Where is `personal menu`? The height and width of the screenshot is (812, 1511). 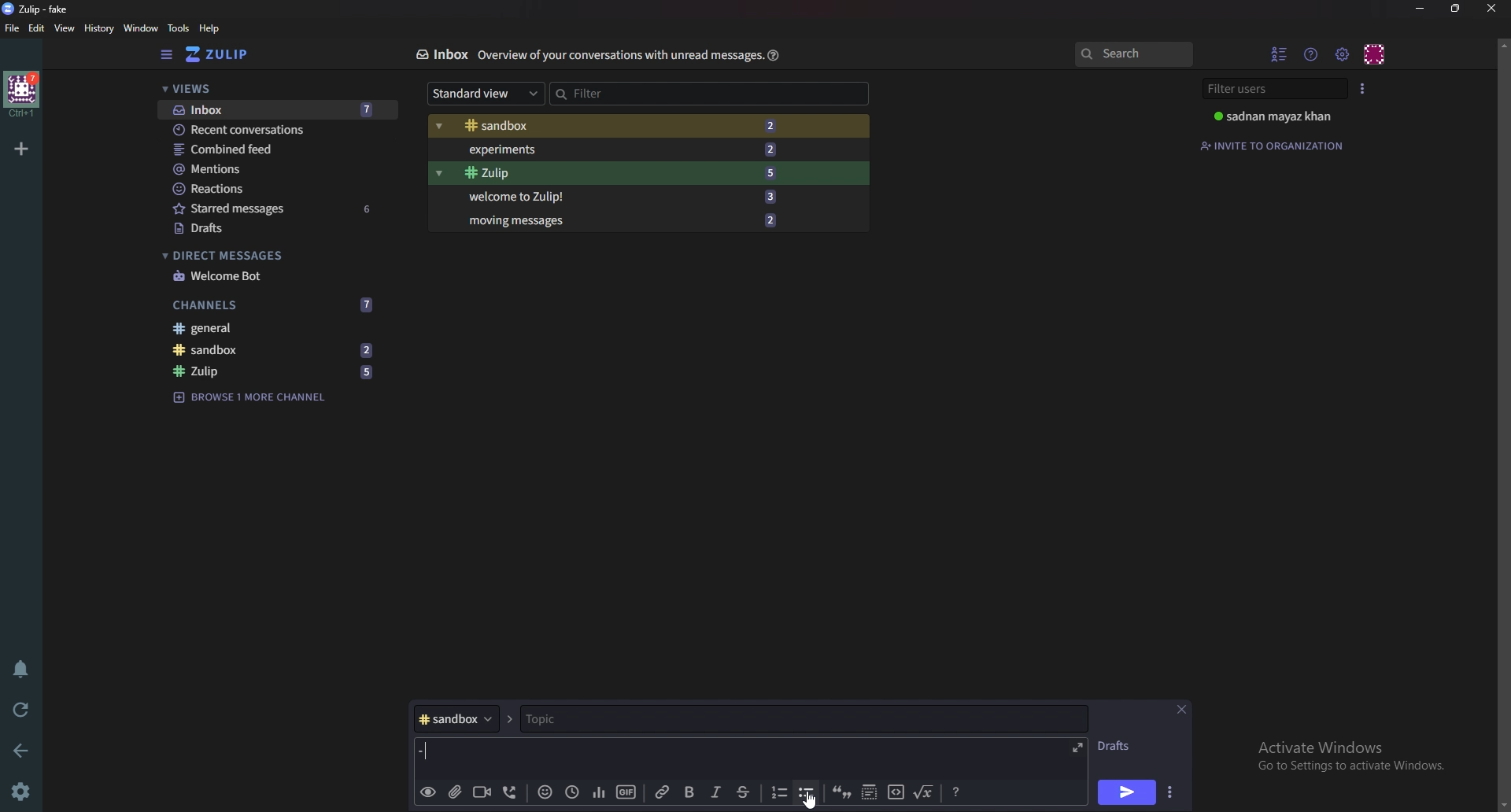 personal menu is located at coordinates (1376, 54).